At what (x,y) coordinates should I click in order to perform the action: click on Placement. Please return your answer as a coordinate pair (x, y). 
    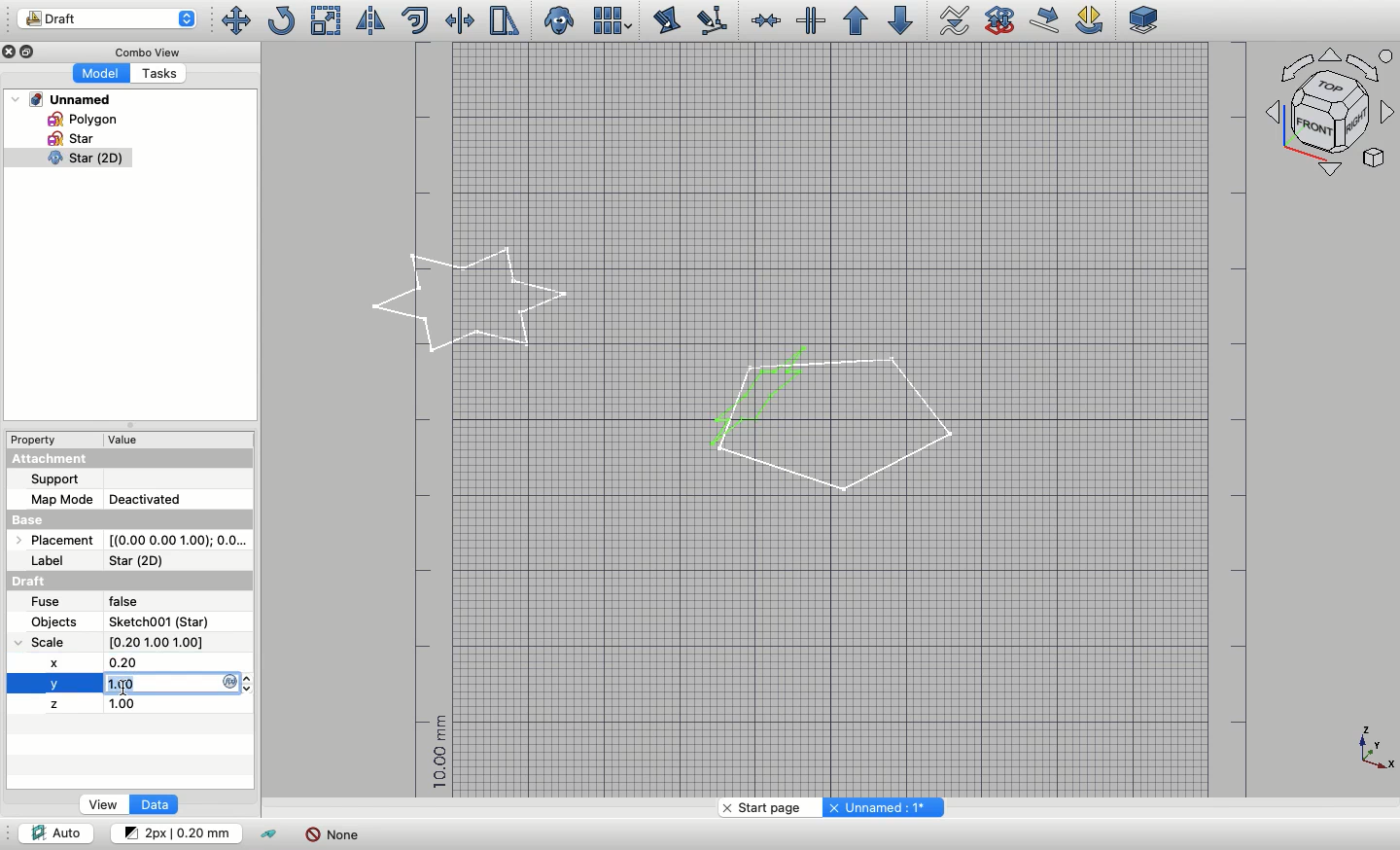
    Looking at the image, I should click on (54, 539).